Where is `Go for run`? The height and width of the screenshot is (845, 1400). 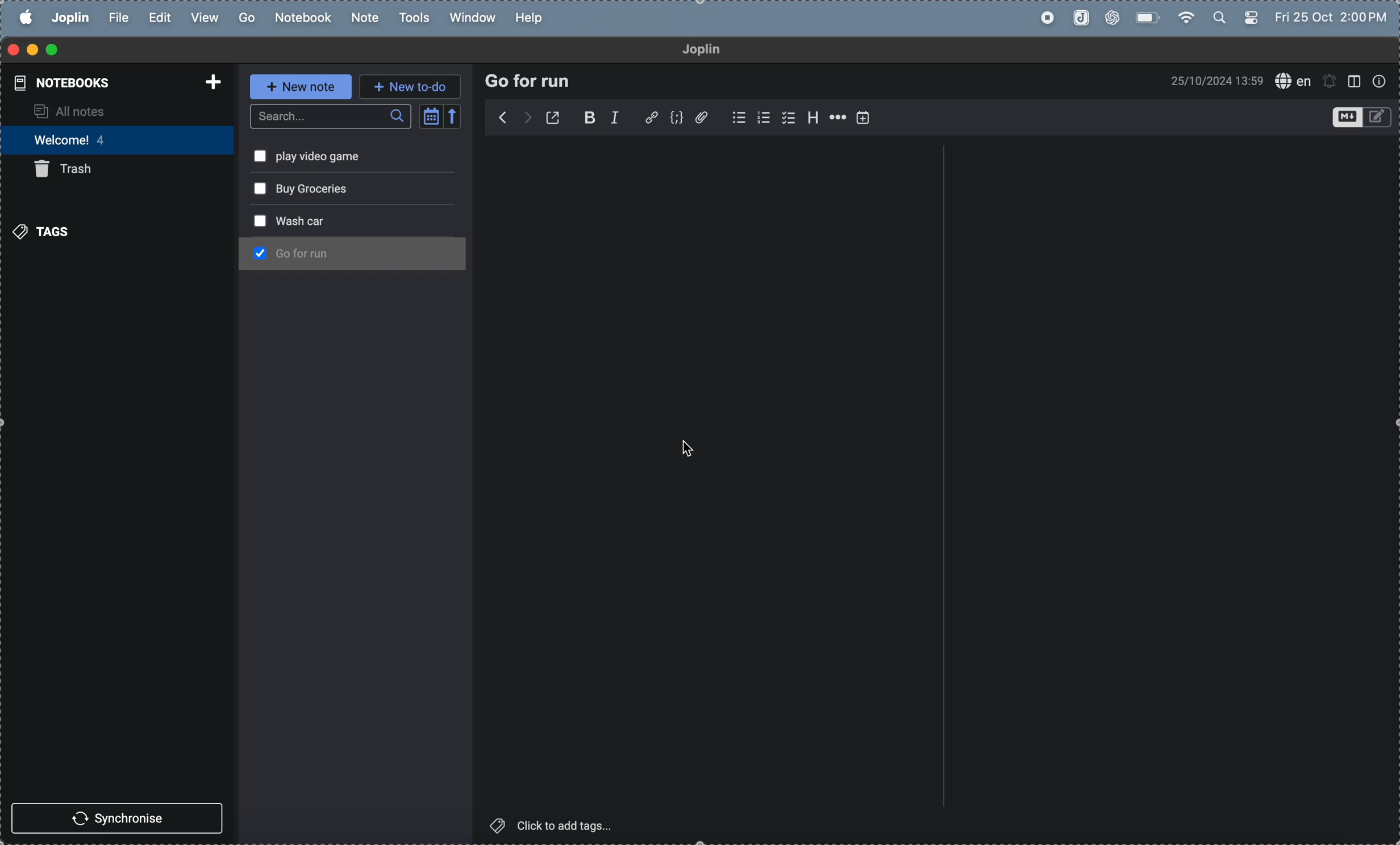 Go for run is located at coordinates (535, 81).